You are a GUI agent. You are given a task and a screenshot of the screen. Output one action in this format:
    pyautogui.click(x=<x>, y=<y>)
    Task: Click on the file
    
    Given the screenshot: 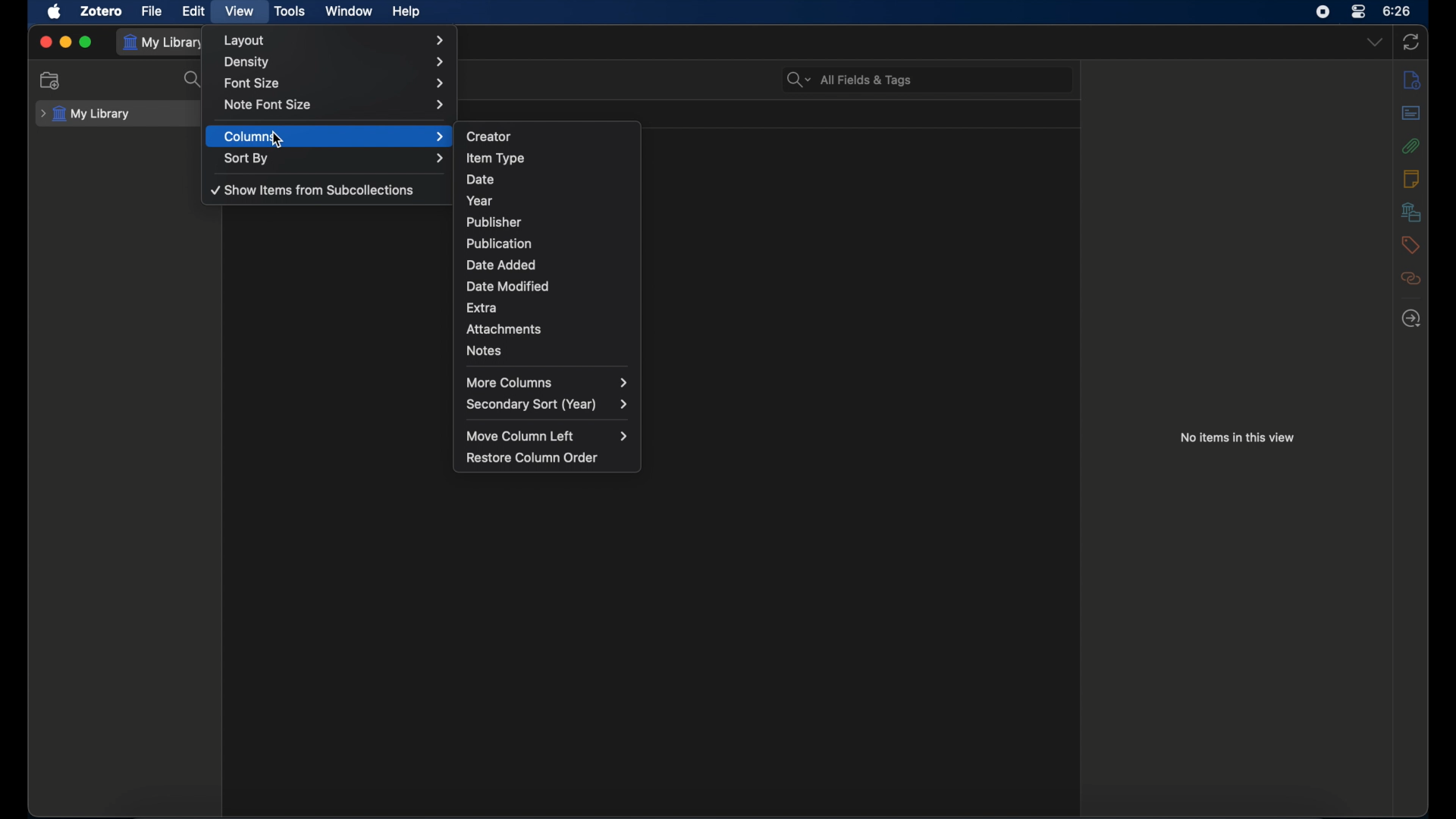 What is the action you would take?
    pyautogui.click(x=151, y=11)
    